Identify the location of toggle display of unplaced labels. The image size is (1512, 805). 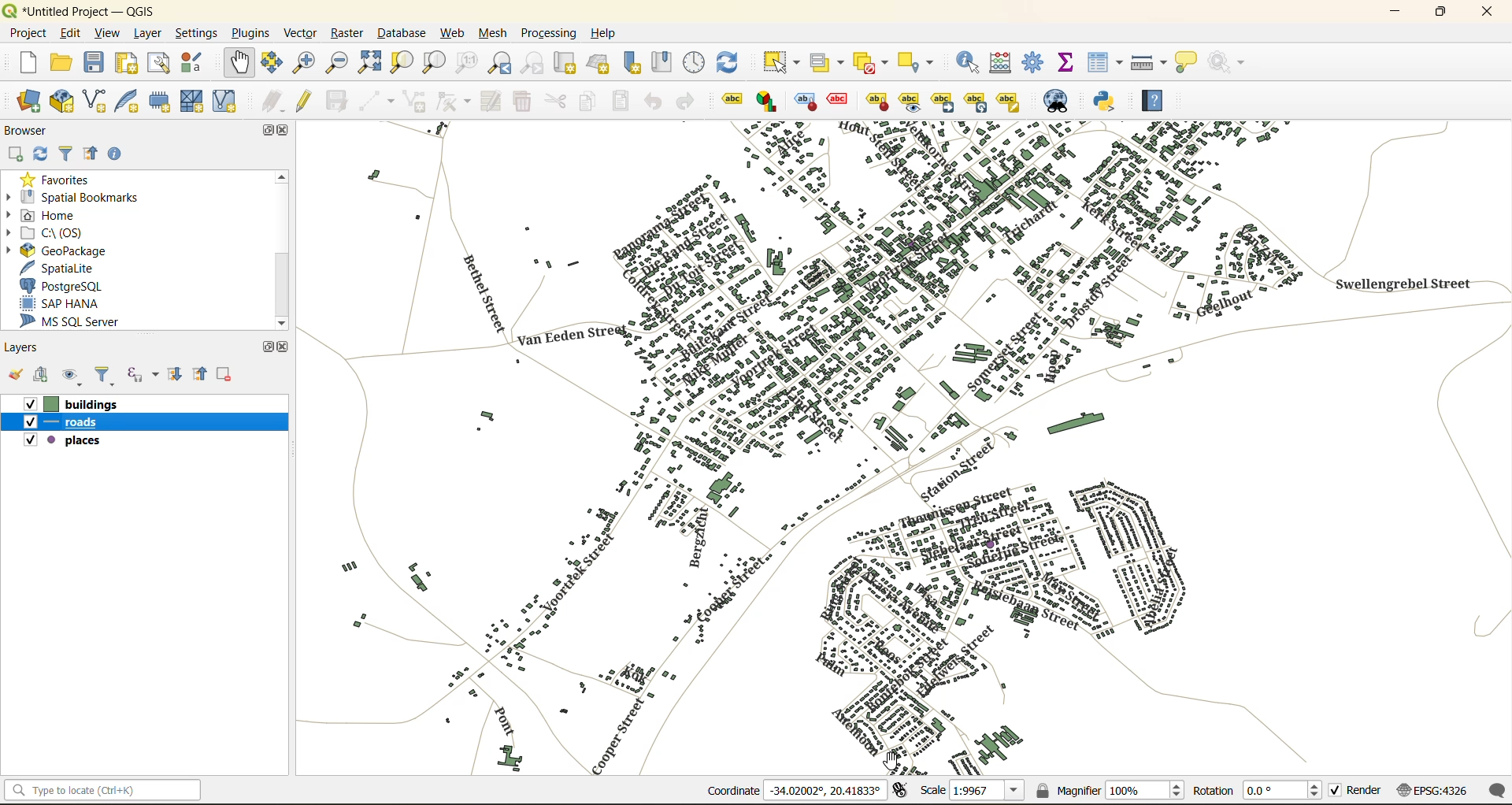
(841, 100).